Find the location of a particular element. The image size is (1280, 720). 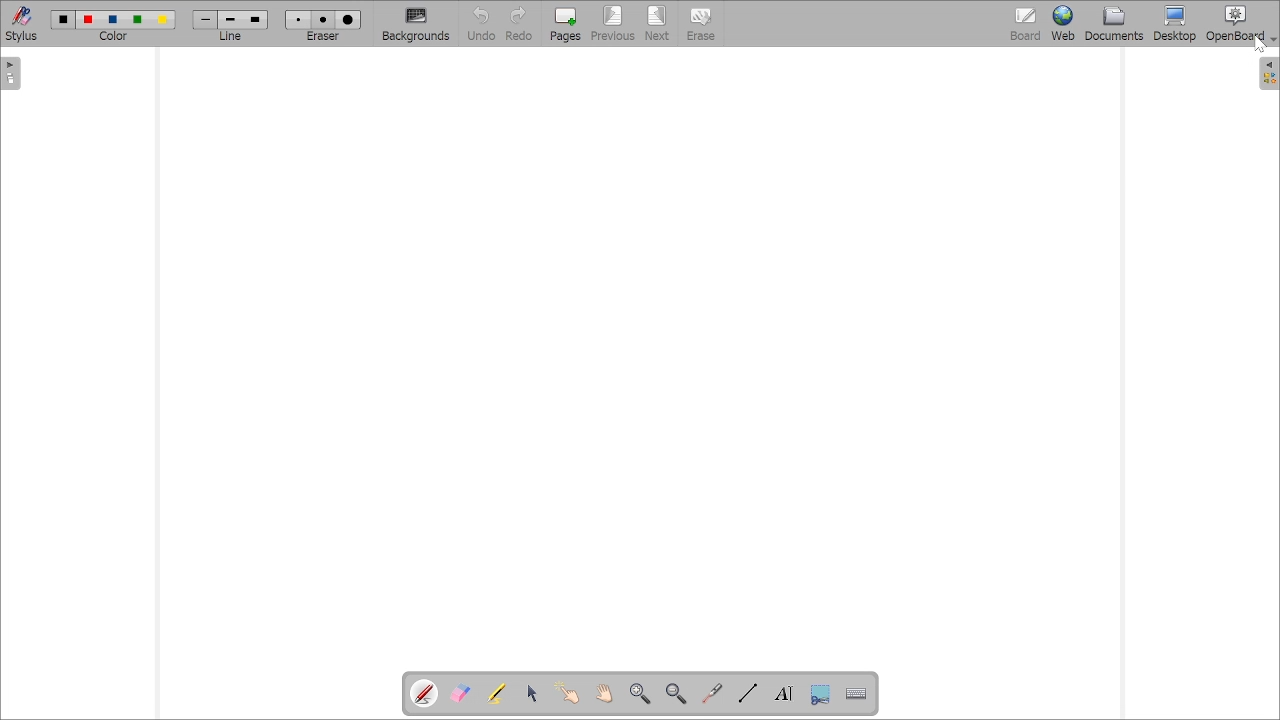

Color1 is located at coordinates (63, 19).